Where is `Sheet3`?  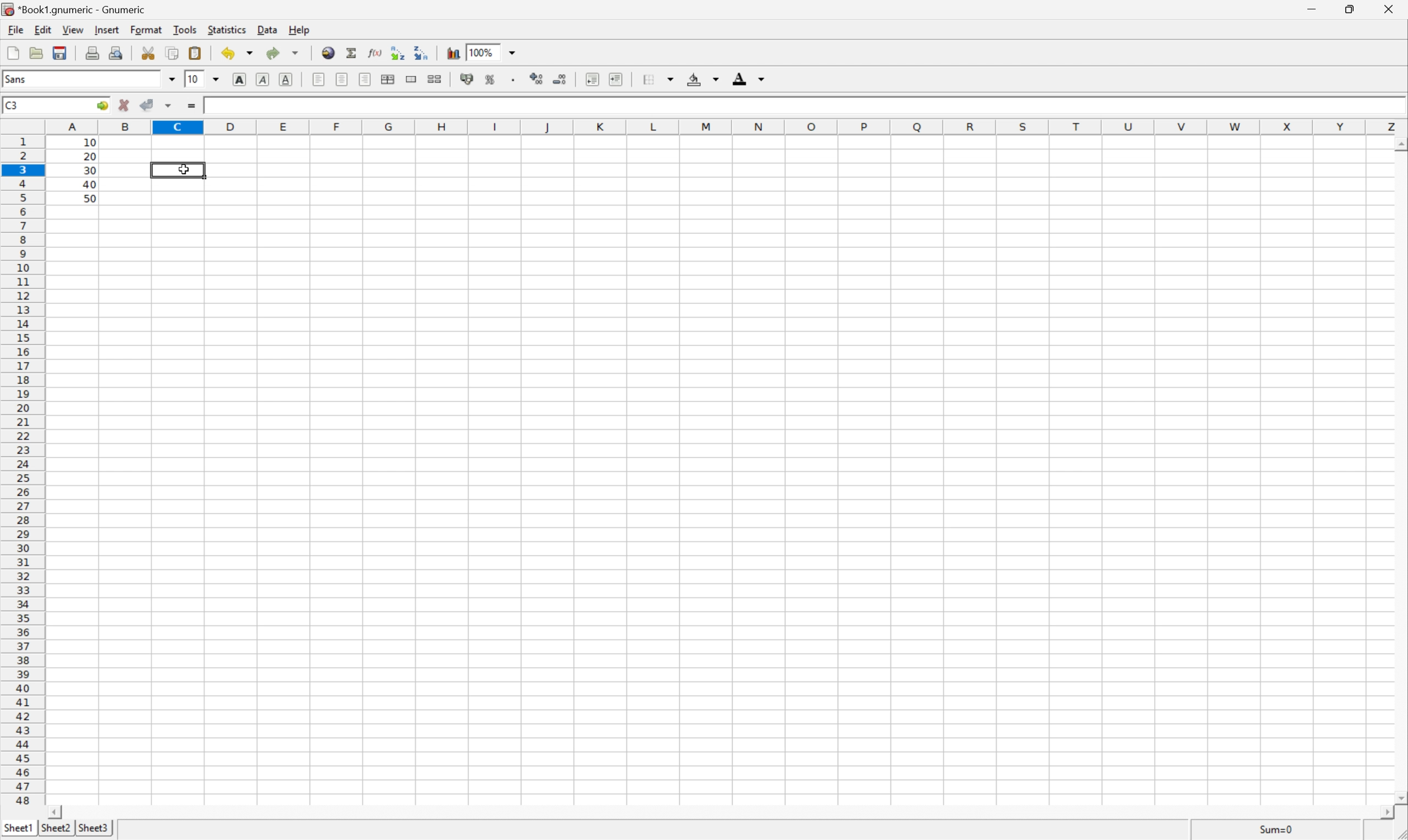 Sheet3 is located at coordinates (96, 827).